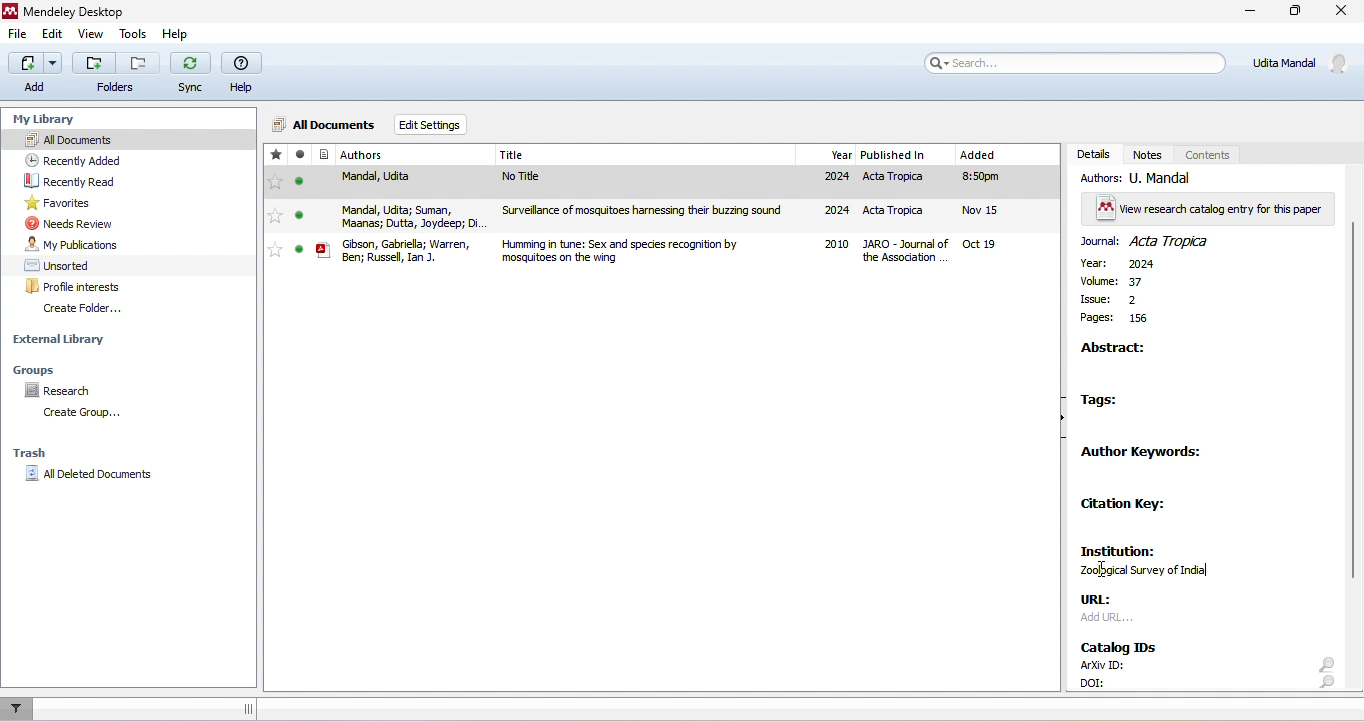 Image resolution: width=1364 pixels, height=722 pixels. I want to click on close, so click(1340, 12).